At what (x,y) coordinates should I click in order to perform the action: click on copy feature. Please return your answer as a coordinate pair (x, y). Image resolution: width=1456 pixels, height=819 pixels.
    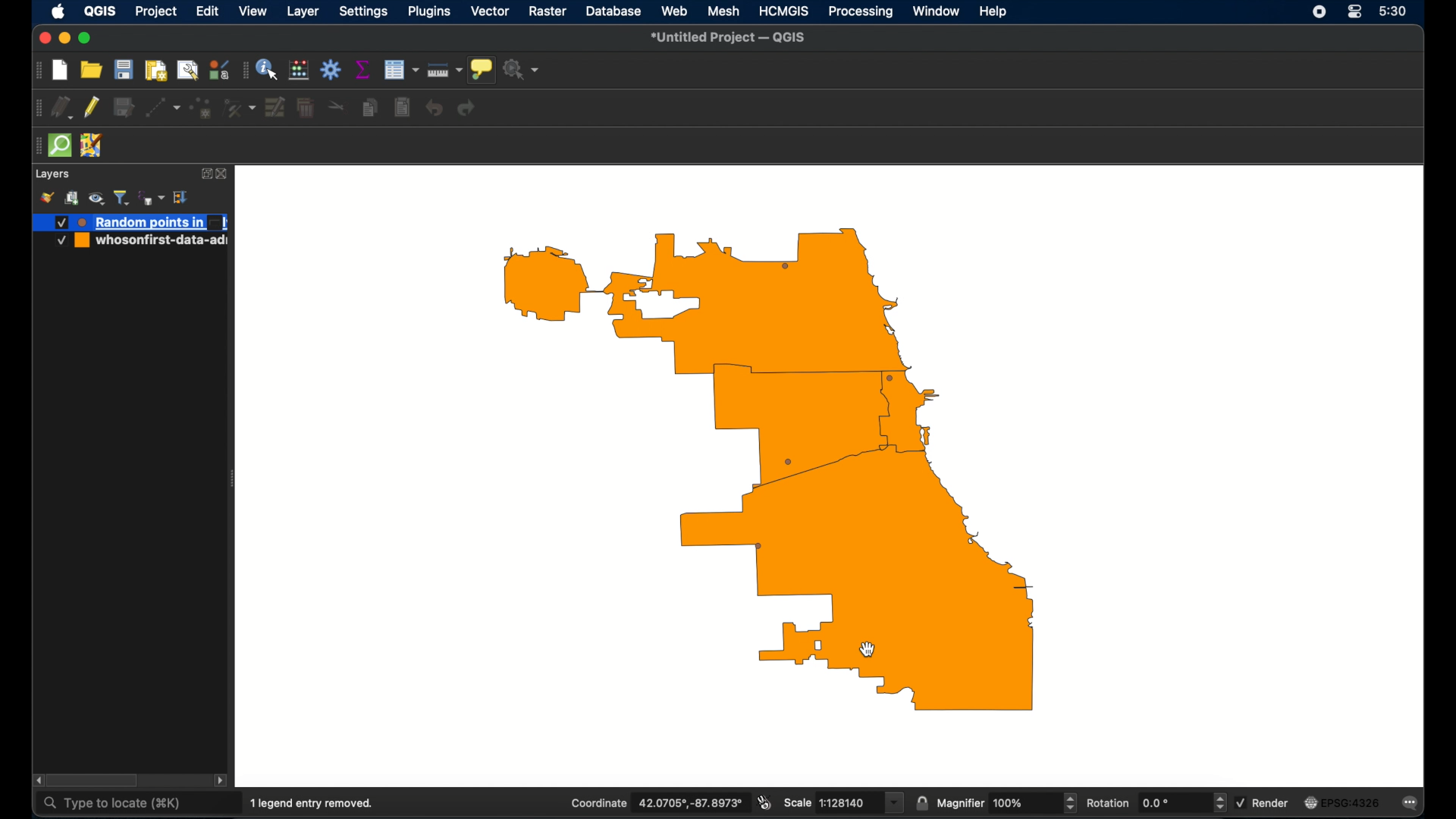
    Looking at the image, I should click on (370, 108).